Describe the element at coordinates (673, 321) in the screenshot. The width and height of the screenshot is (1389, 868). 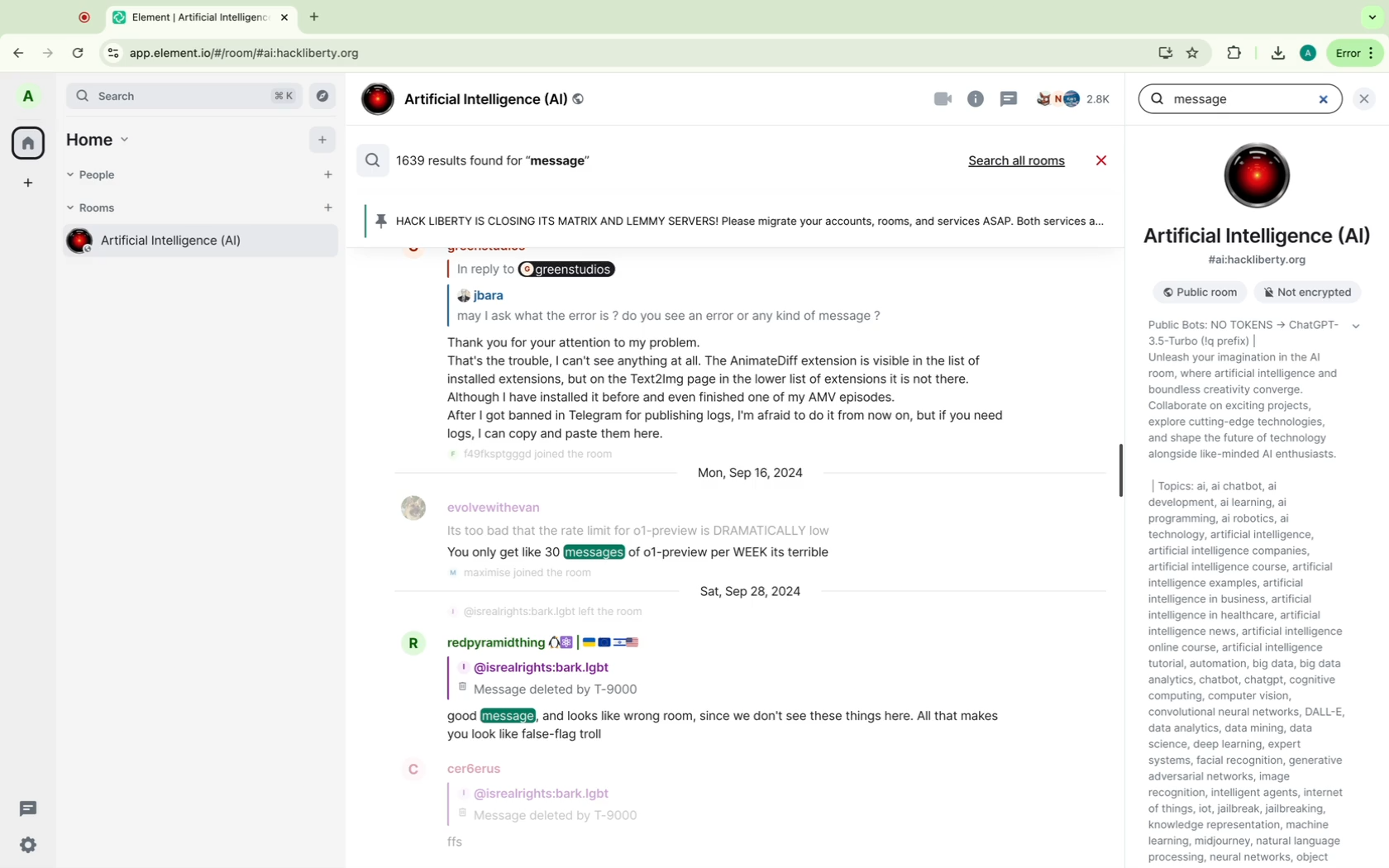
I see `message` at that location.